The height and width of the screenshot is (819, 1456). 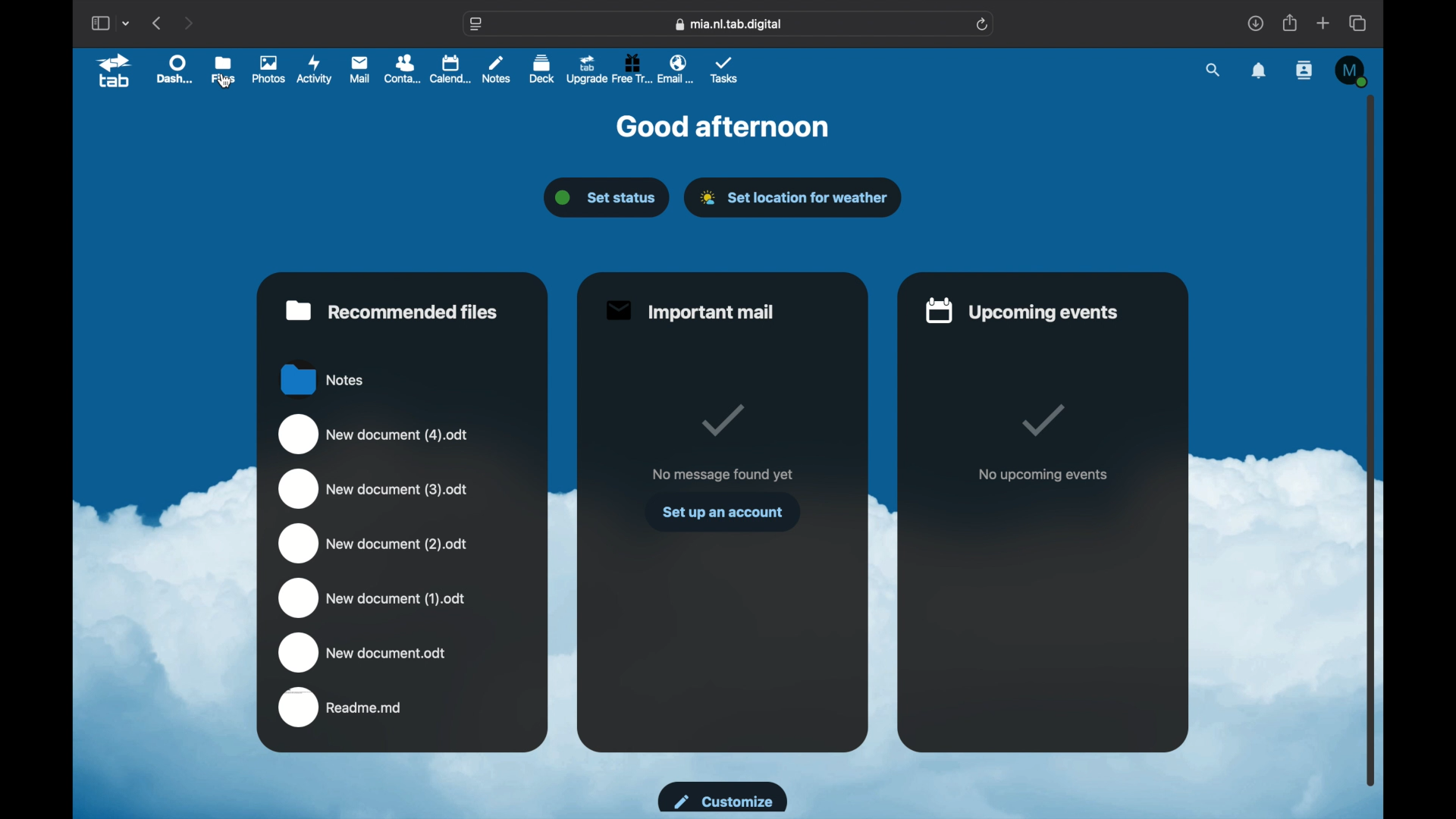 I want to click on calendar, so click(x=450, y=70).